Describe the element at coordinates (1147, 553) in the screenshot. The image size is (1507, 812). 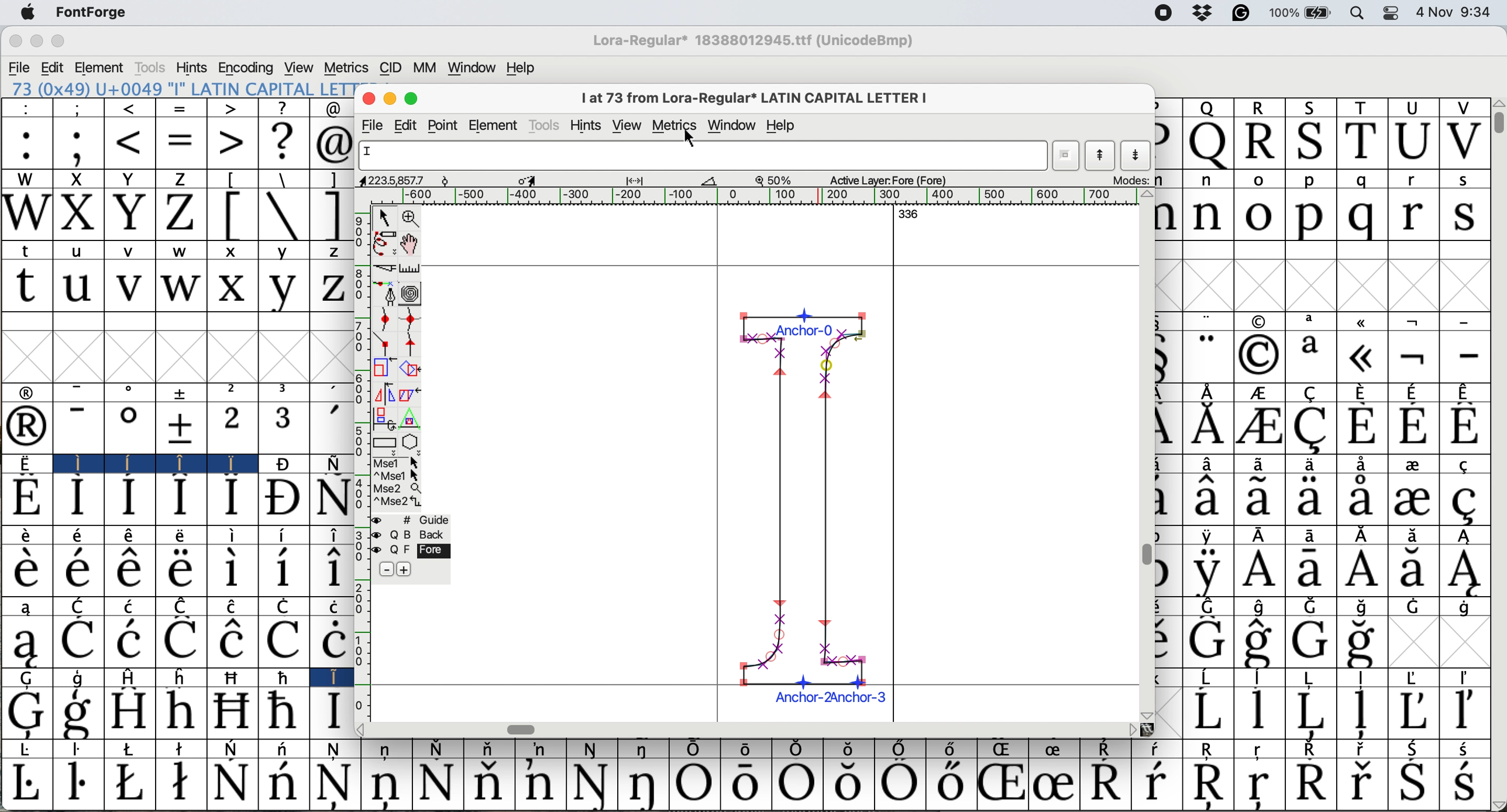
I see `vertical scroll bar` at that location.